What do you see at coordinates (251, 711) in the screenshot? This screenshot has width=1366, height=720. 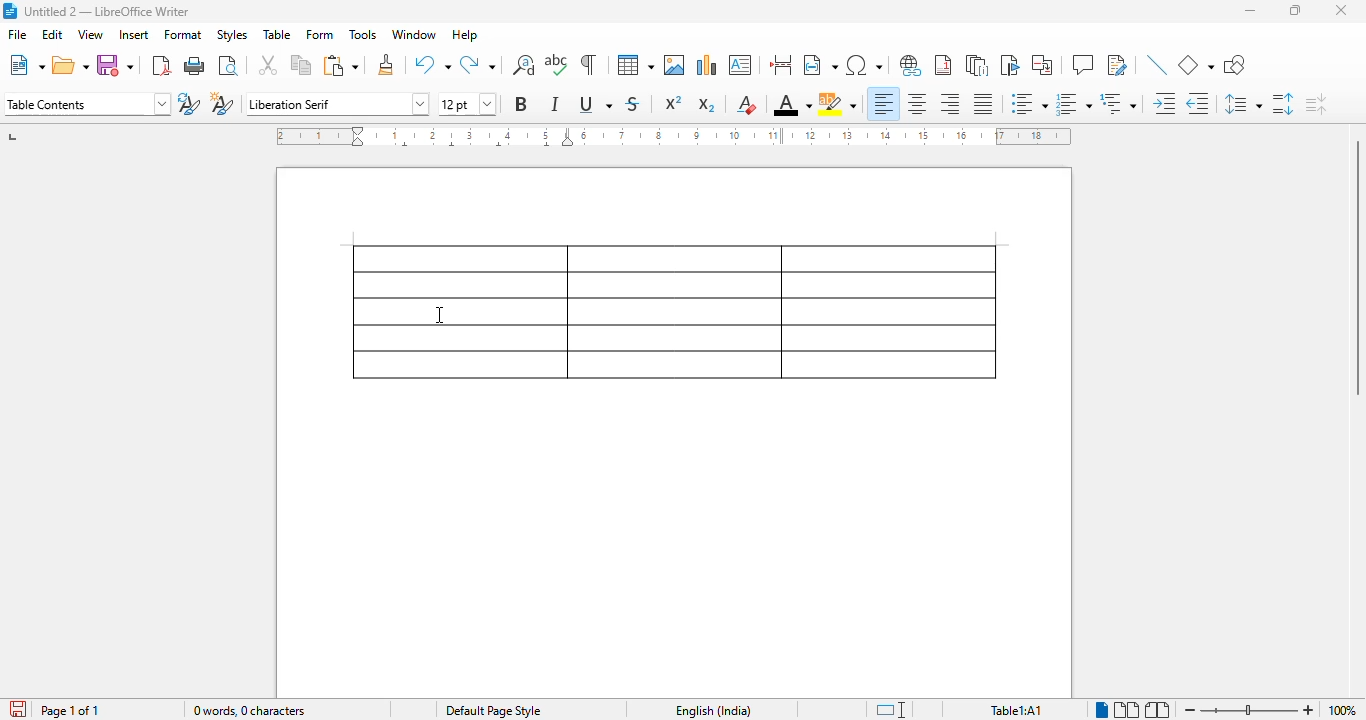 I see `0 words, 0 characters` at bounding box center [251, 711].